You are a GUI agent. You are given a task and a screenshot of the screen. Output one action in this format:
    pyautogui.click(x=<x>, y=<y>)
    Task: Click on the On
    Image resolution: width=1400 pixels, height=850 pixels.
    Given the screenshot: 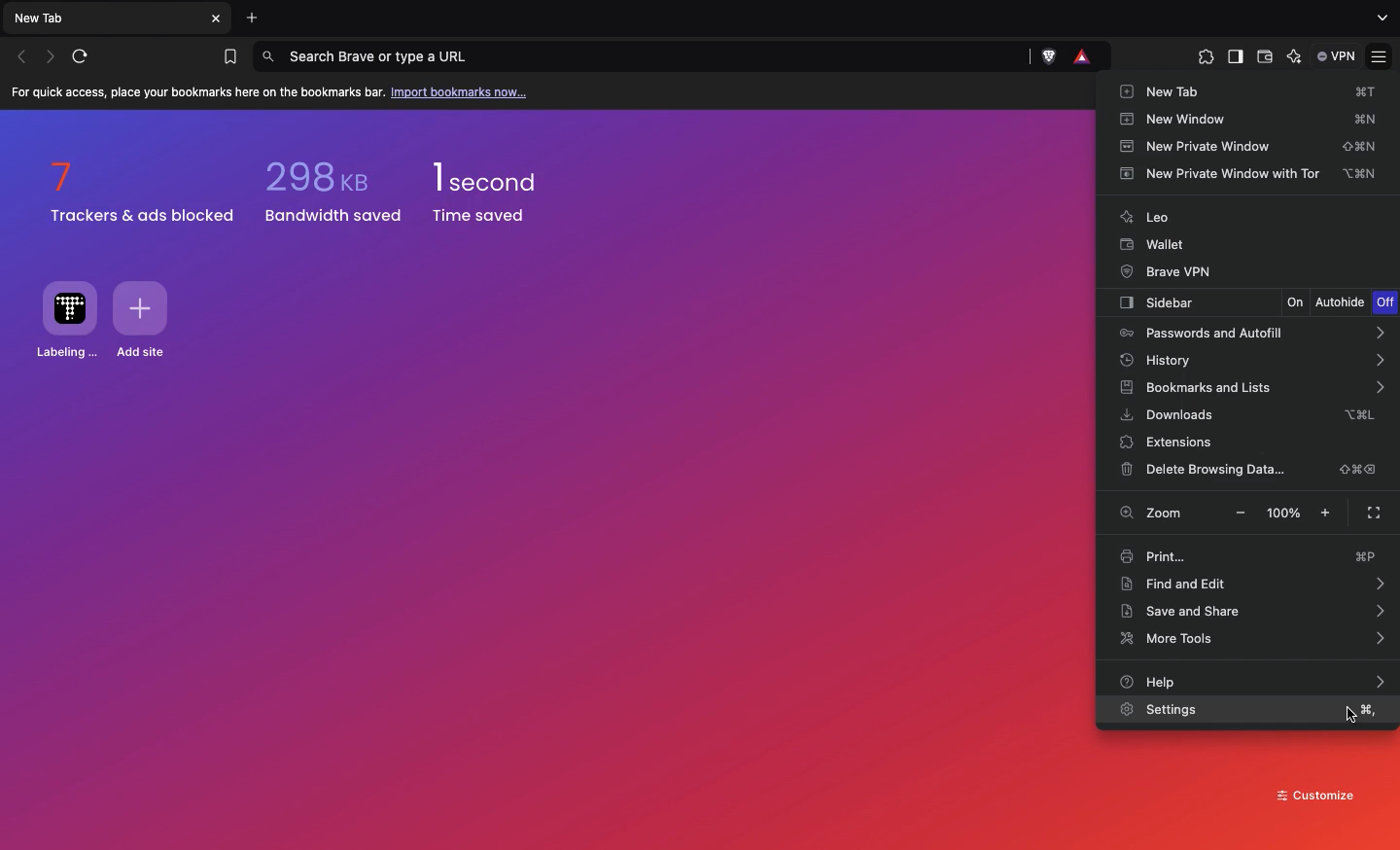 What is the action you would take?
    pyautogui.click(x=1296, y=304)
    